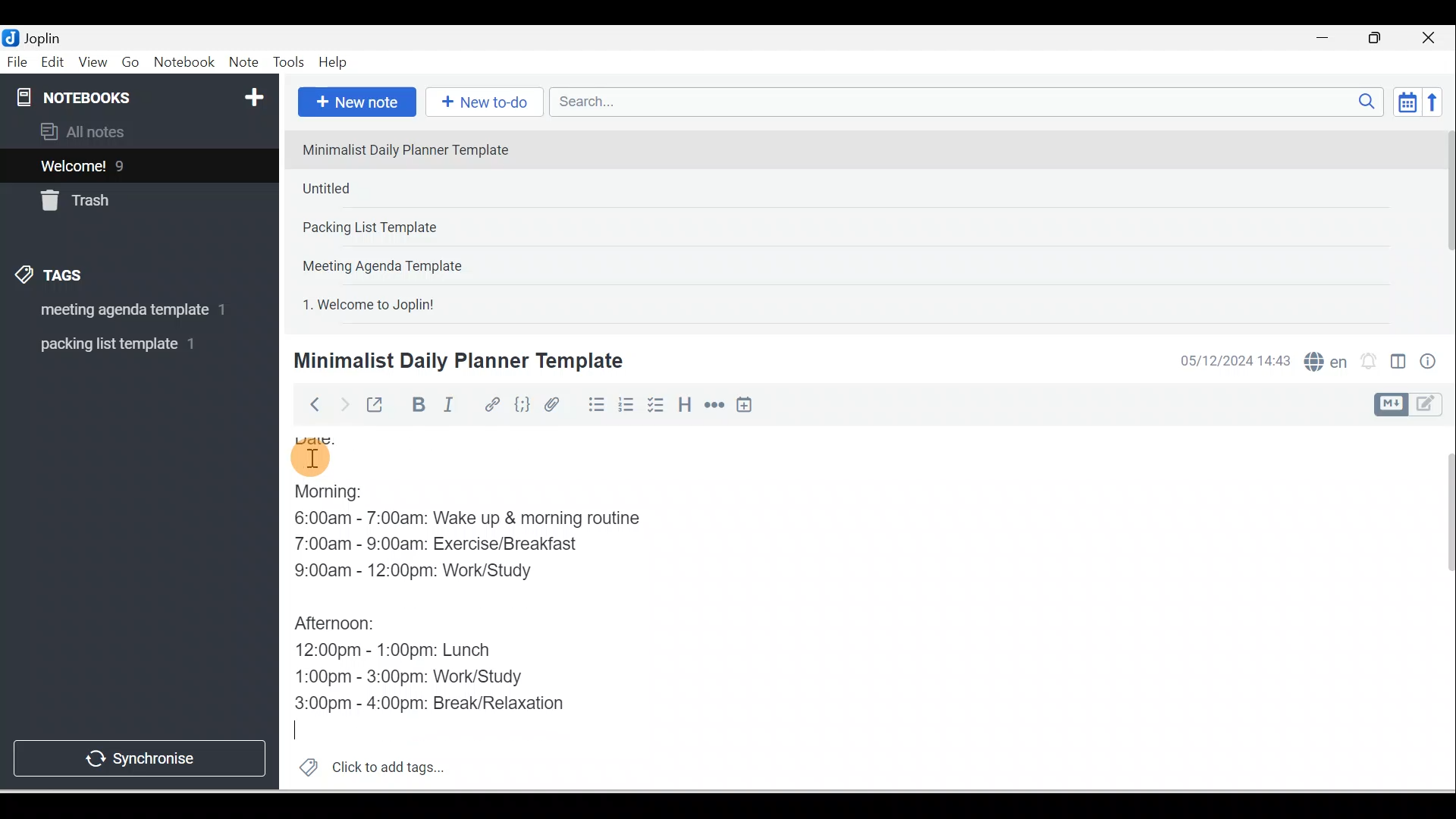 This screenshot has width=1456, height=819. What do you see at coordinates (377, 408) in the screenshot?
I see `Toggle external editing` at bounding box center [377, 408].